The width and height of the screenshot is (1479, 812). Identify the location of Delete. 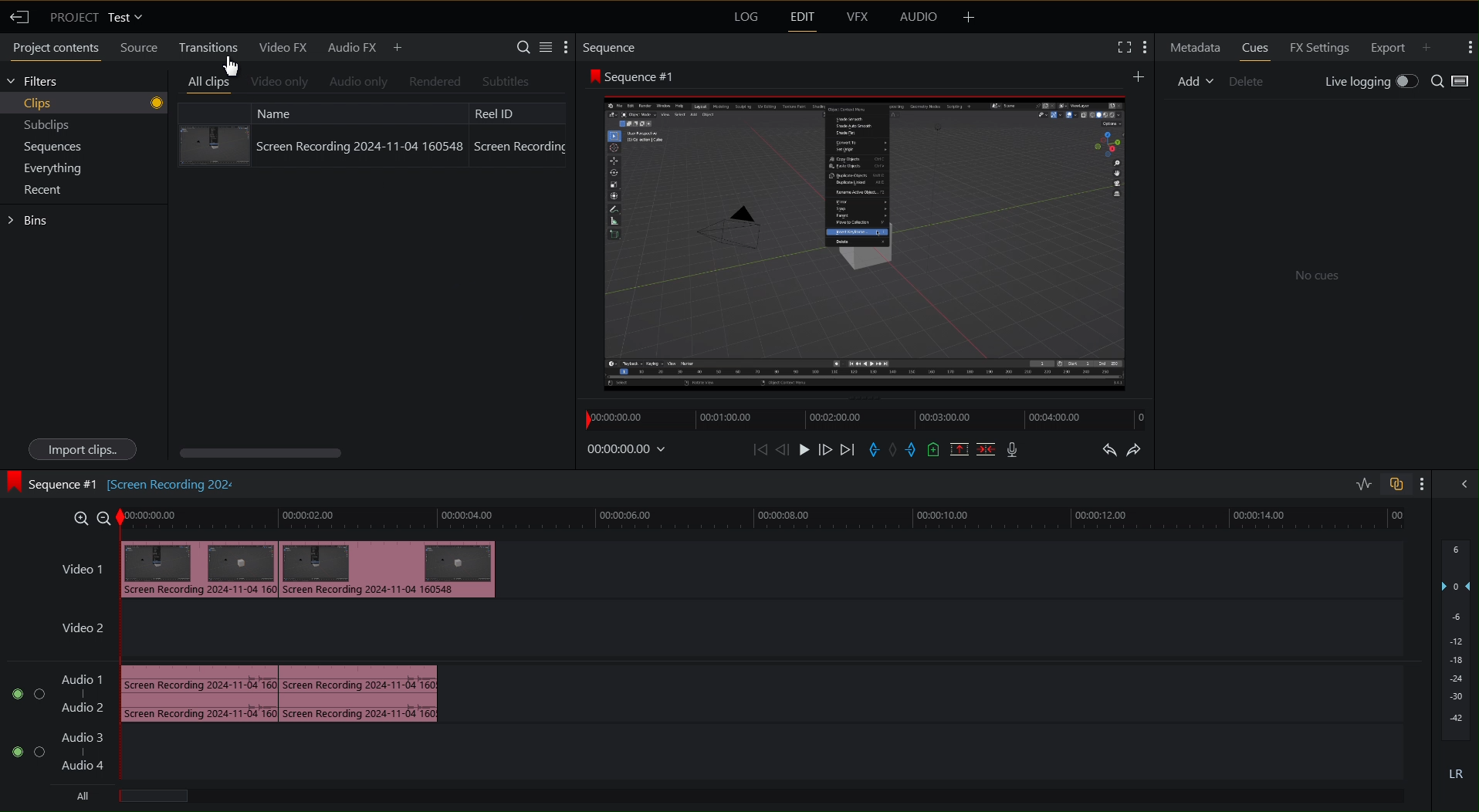
(1247, 81).